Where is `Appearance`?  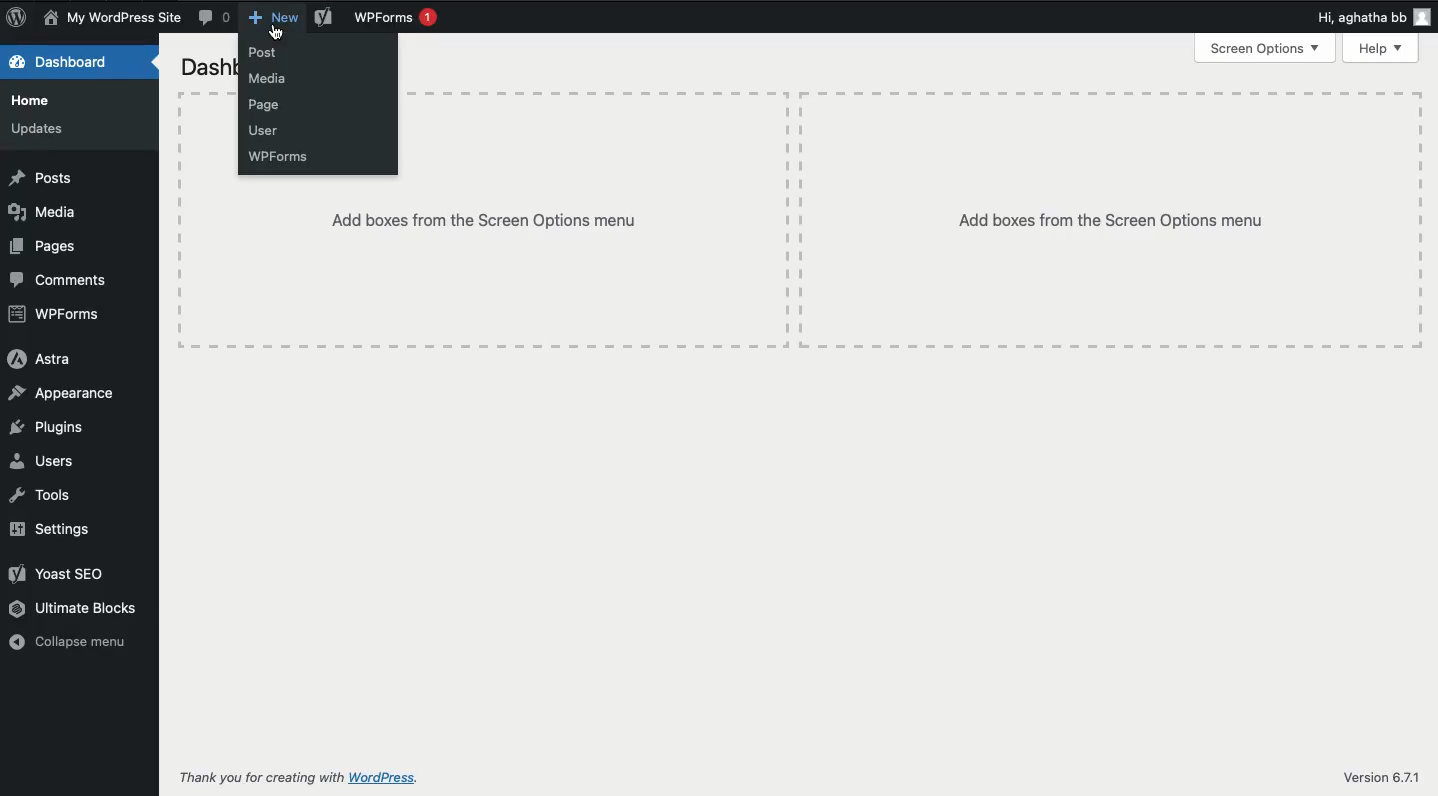 Appearance is located at coordinates (70, 395).